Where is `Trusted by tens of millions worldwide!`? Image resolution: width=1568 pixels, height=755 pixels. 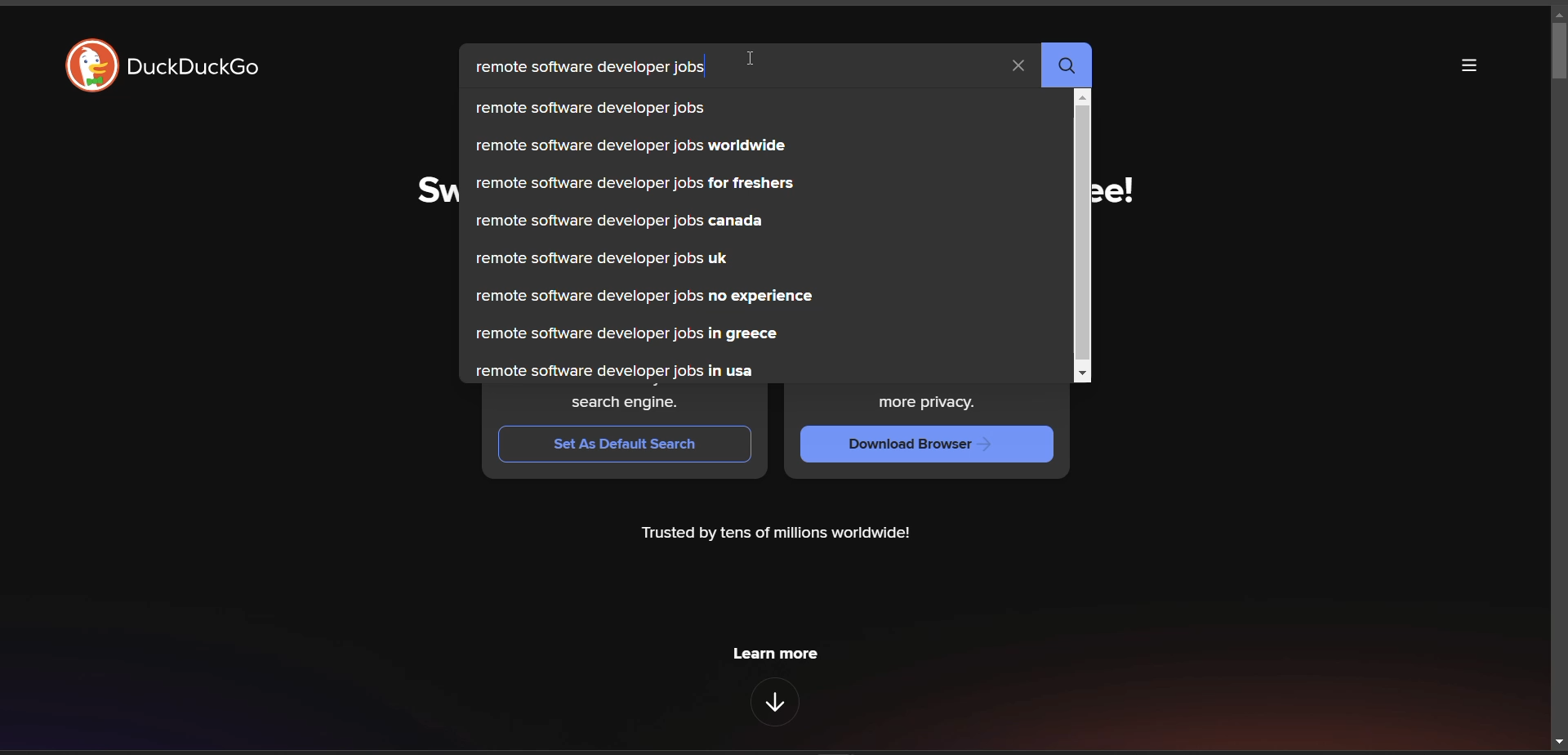
Trusted by tens of millions worldwide! is located at coordinates (775, 533).